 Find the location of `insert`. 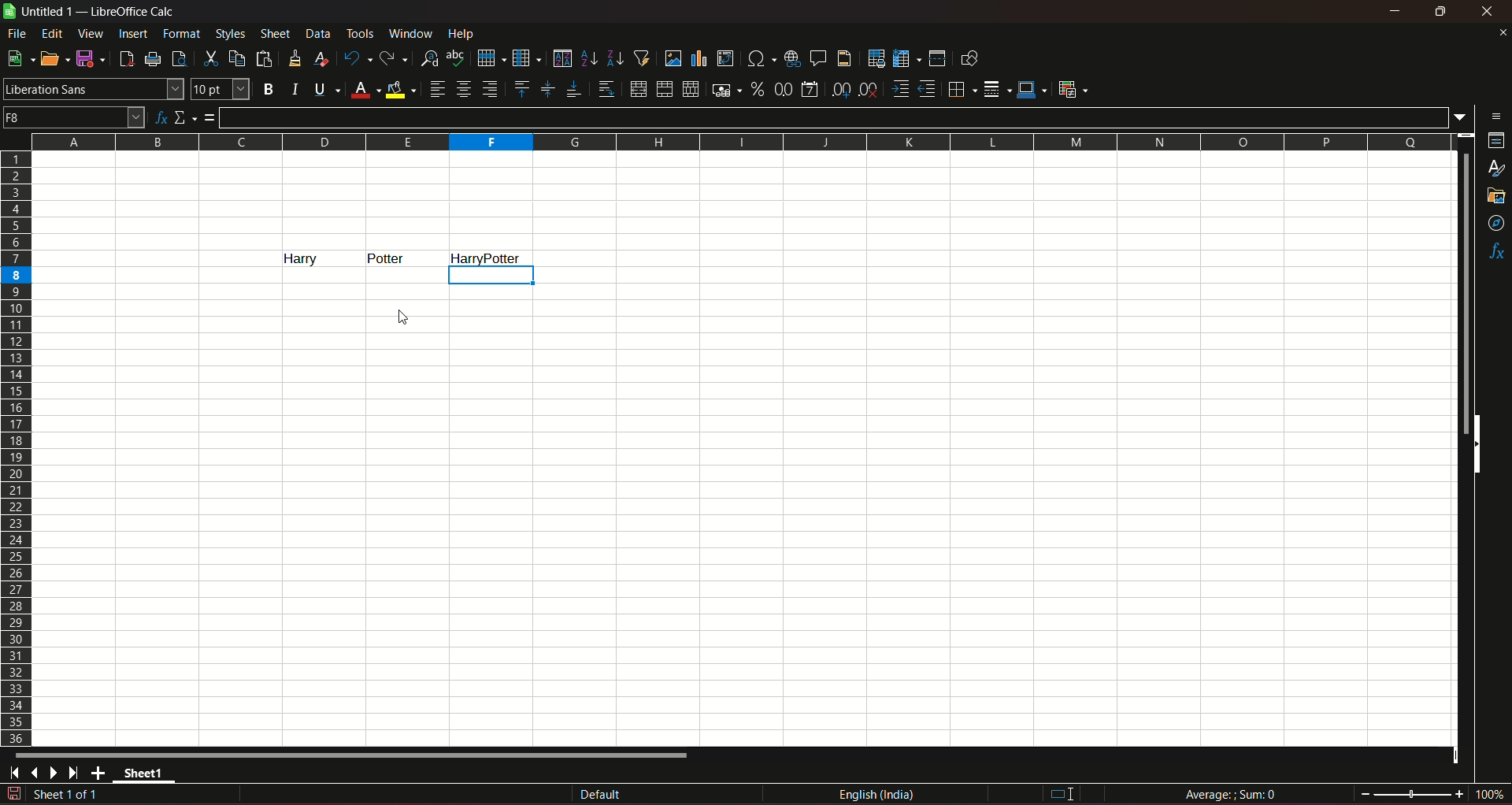

insert is located at coordinates (132, 32).